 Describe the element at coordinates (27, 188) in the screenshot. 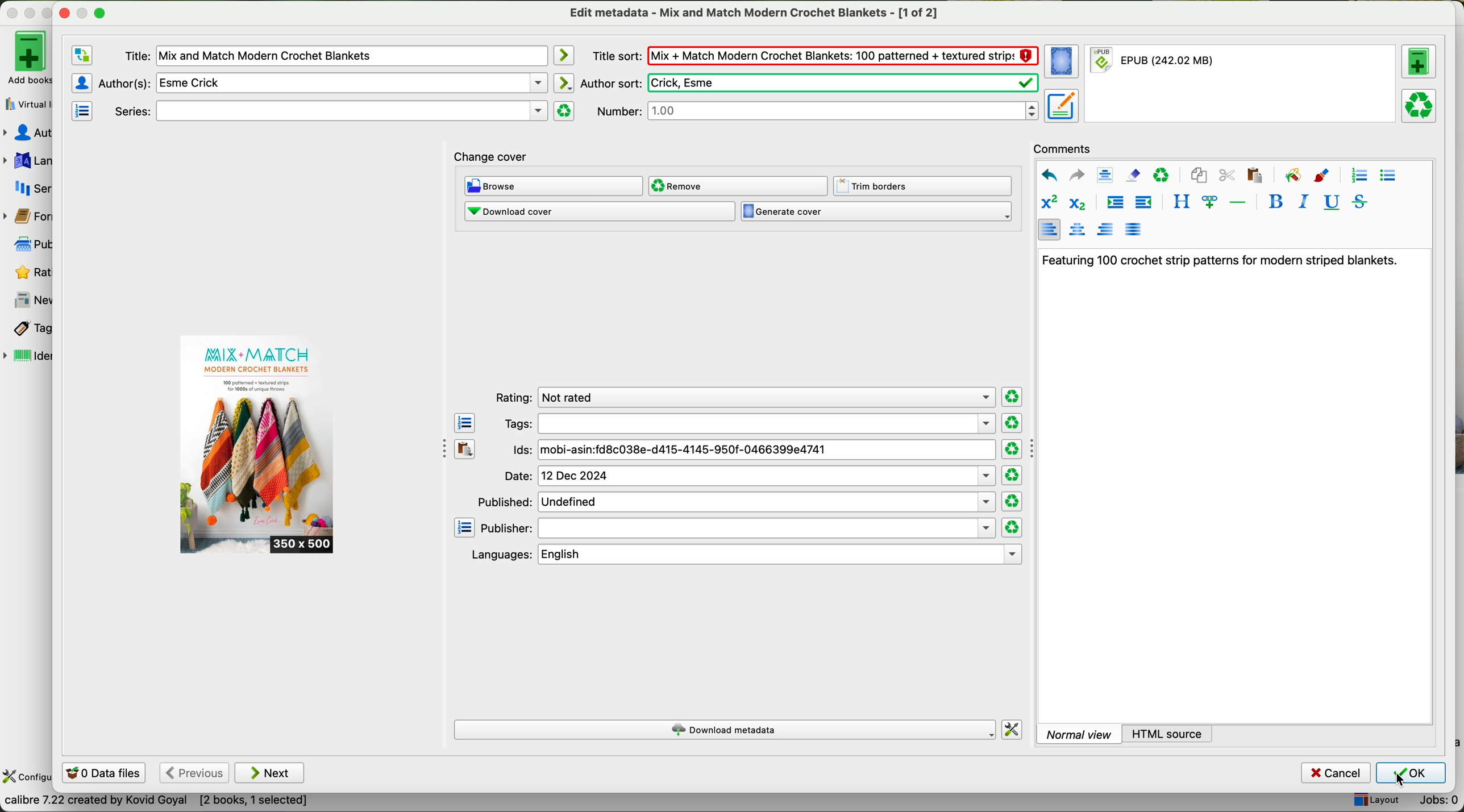

I see `series` at that location.